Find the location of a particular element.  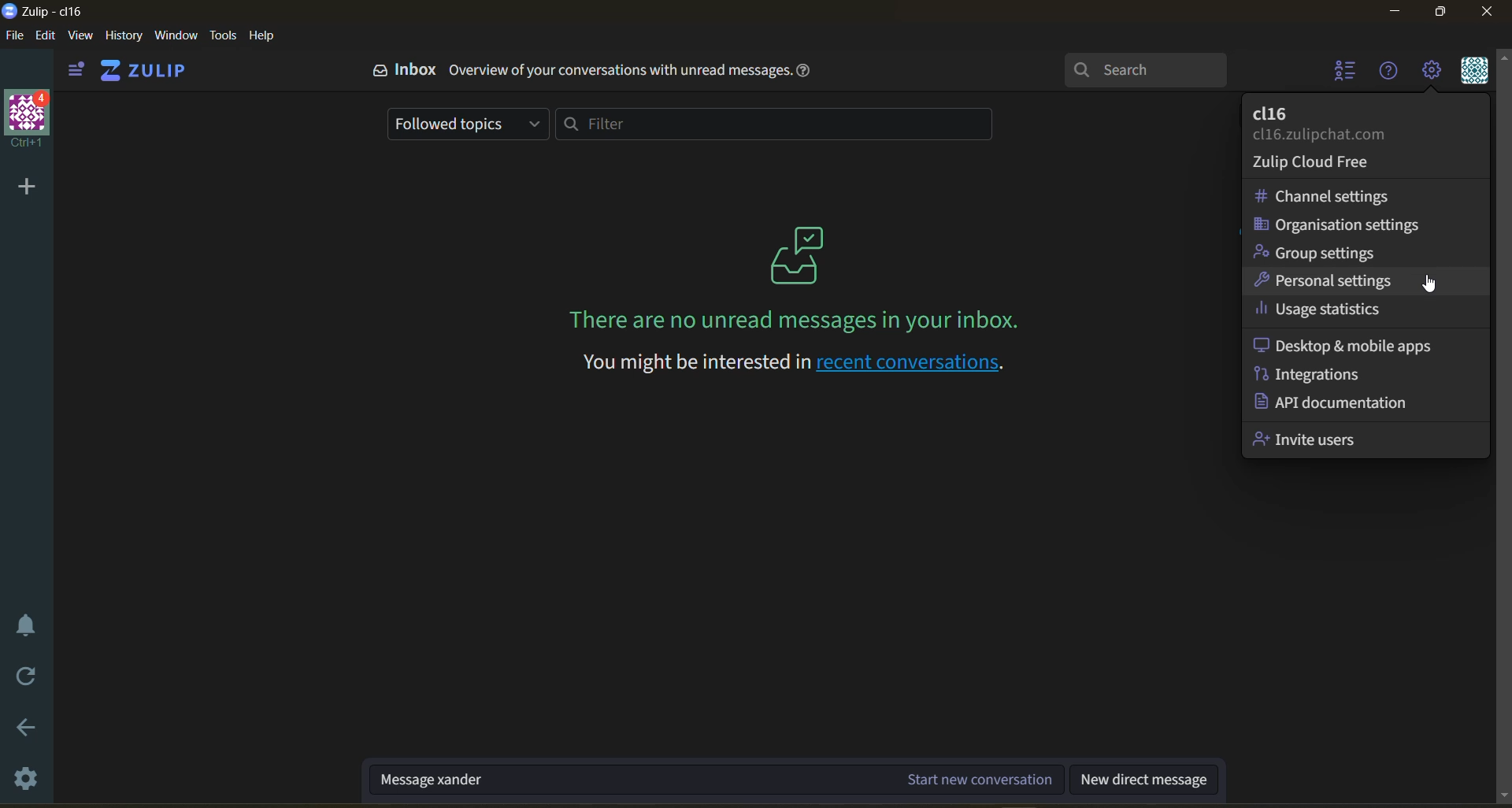

personal settings is located at coordinates (1322, 282).